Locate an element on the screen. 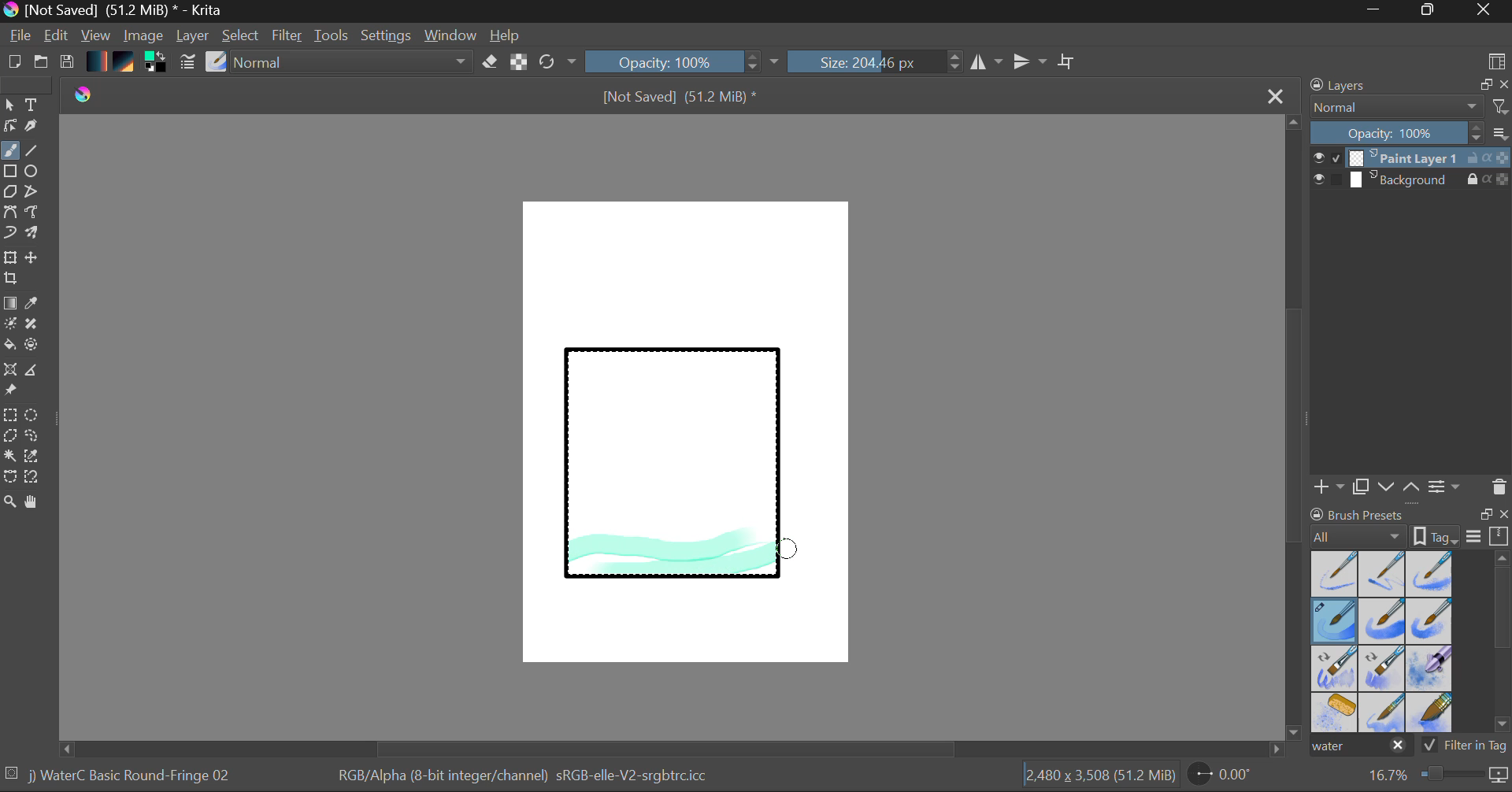 This screenshot has height=792, width=1512. Crop is located at coordinates (1069, 61).